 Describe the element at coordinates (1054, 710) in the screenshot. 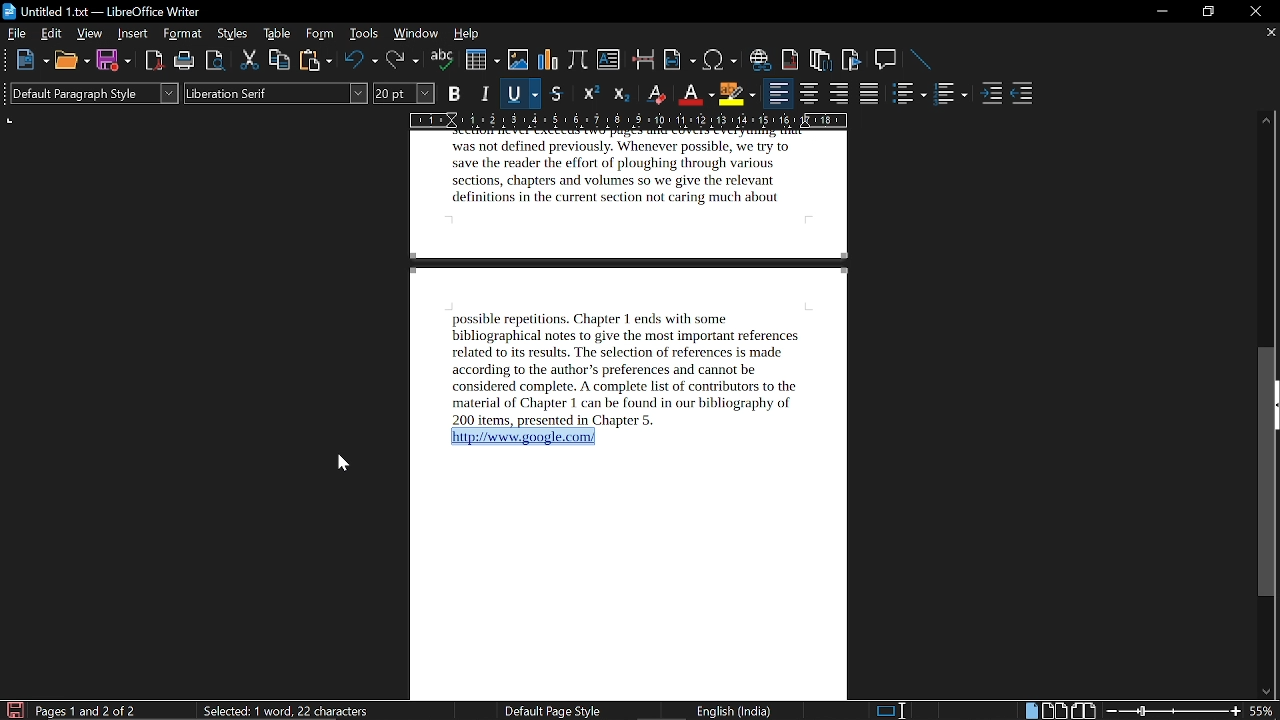

I see `multiple page view` at that location.